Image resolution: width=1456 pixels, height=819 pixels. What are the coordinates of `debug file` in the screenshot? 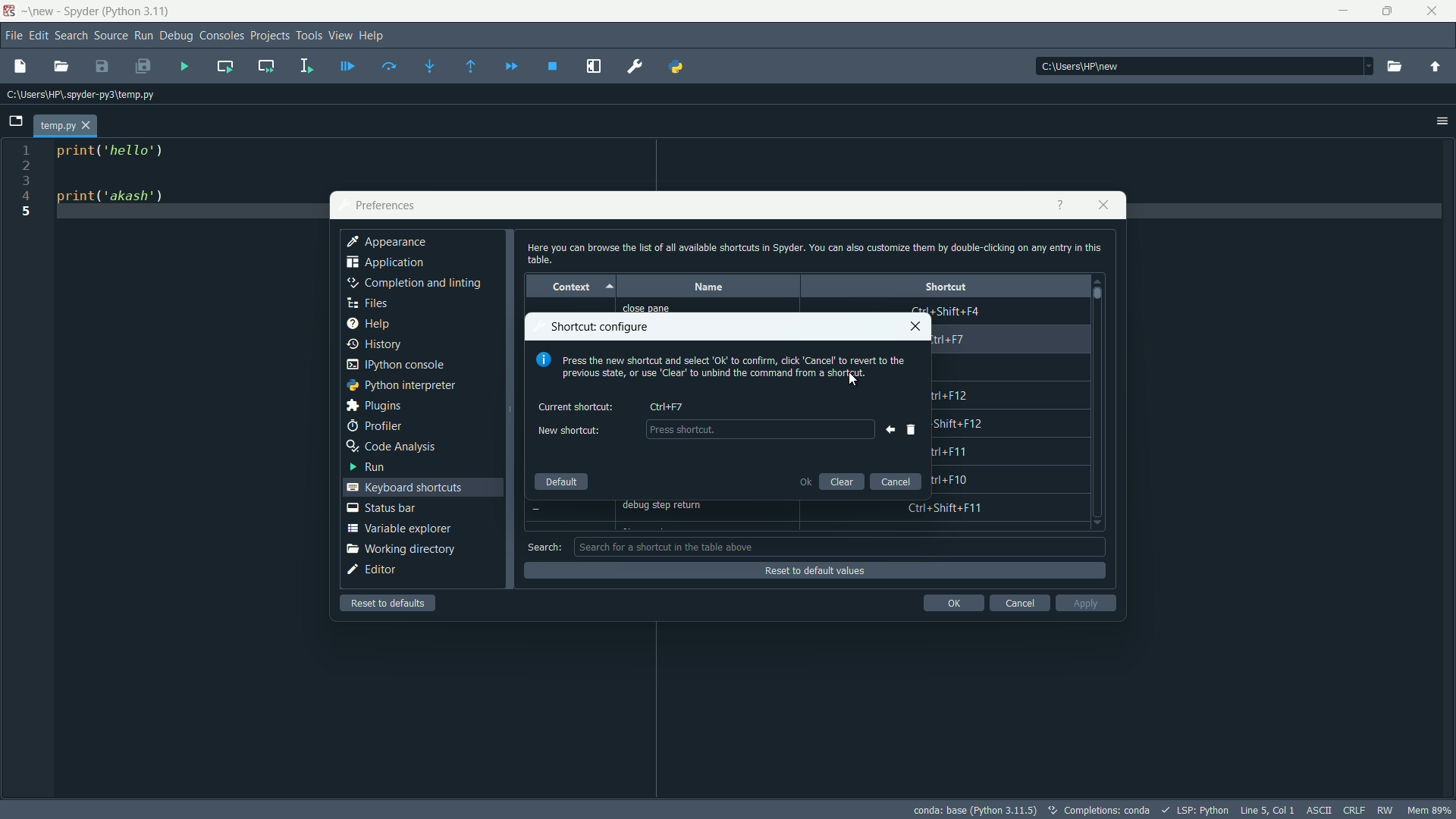 It's located at (184, 67).